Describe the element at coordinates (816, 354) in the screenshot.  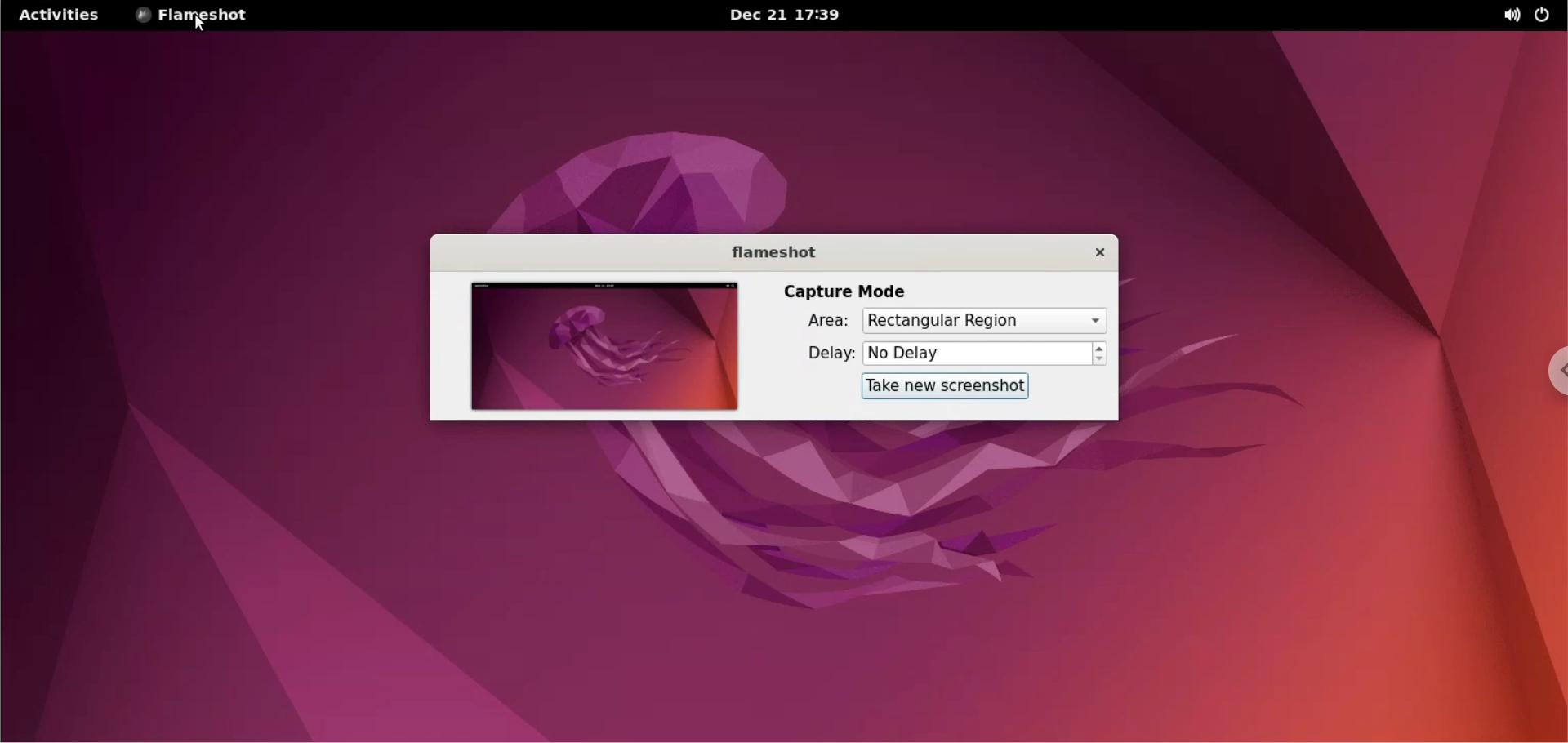
I see `delay:` at that location.